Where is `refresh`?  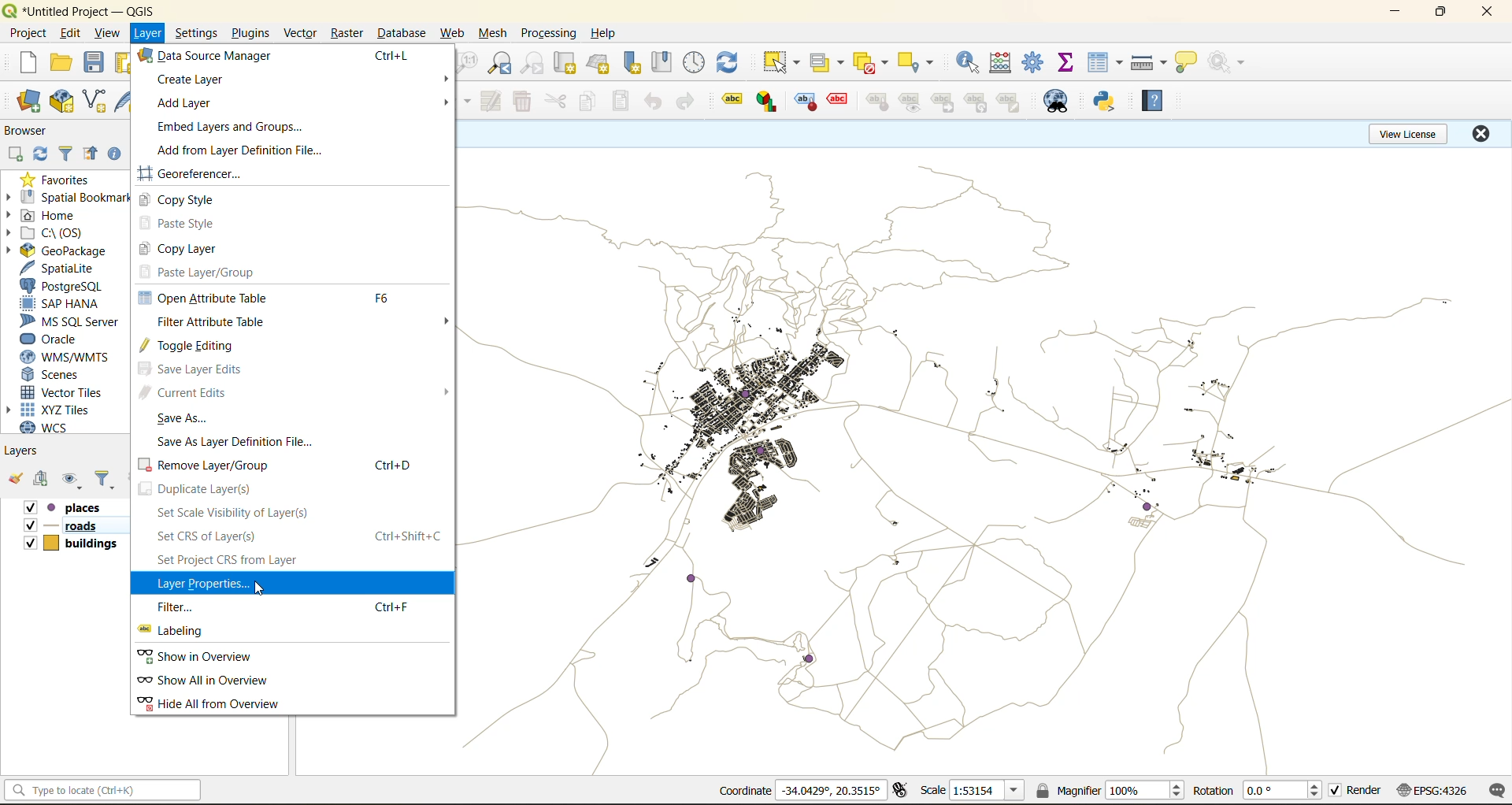
refresh is located at coordinates (43, 154).